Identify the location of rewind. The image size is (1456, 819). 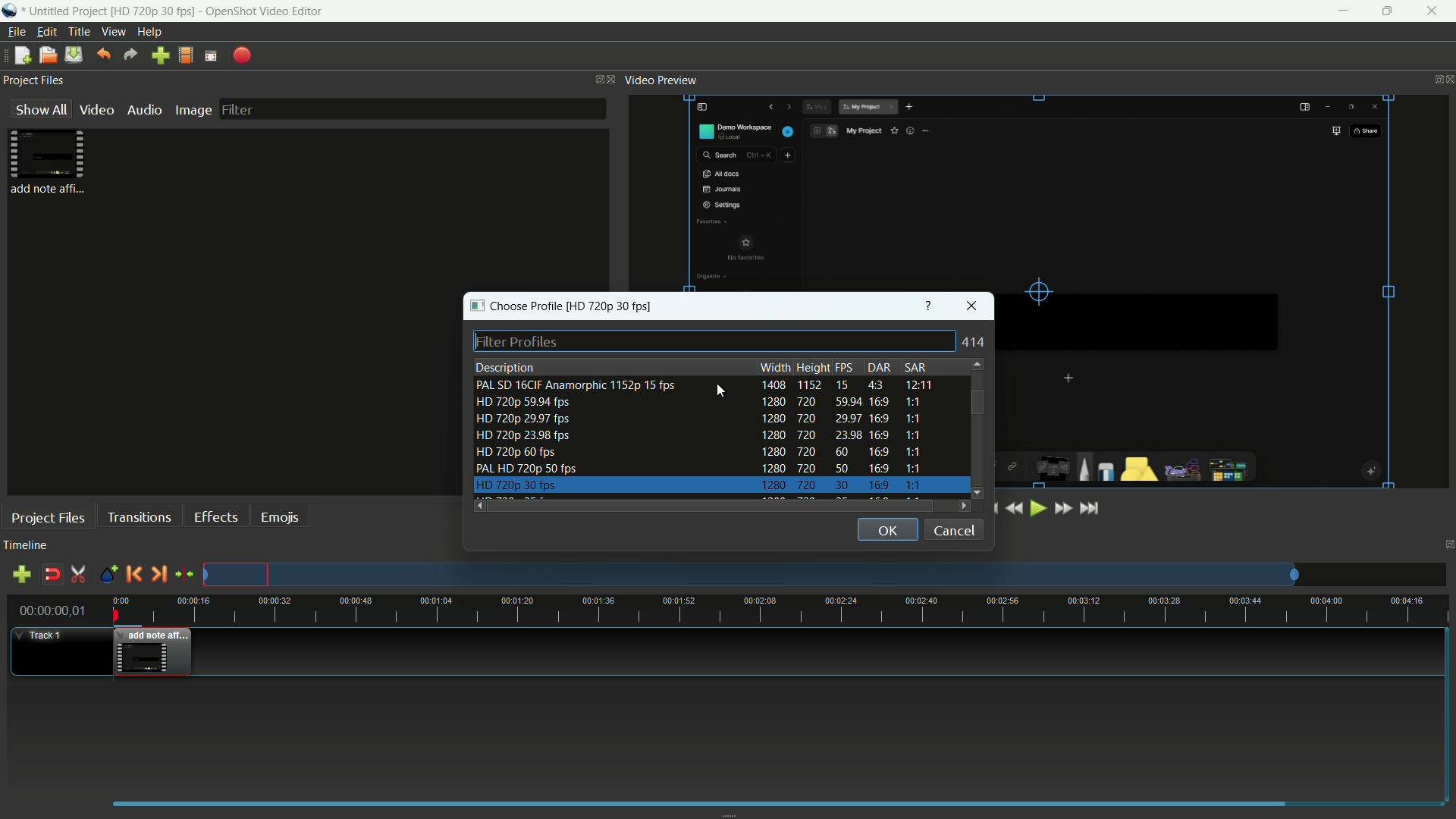
(1012, 508).